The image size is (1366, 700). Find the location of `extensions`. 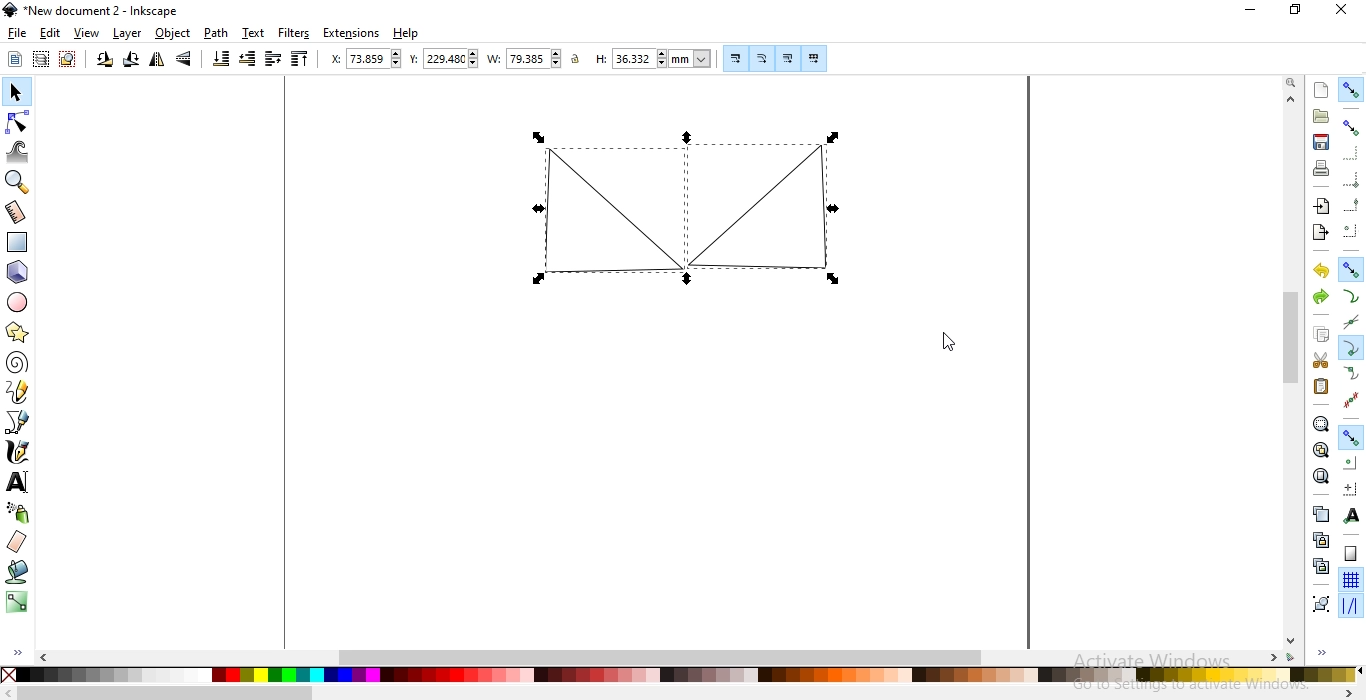

extensions is located at coordinates (352, 34).